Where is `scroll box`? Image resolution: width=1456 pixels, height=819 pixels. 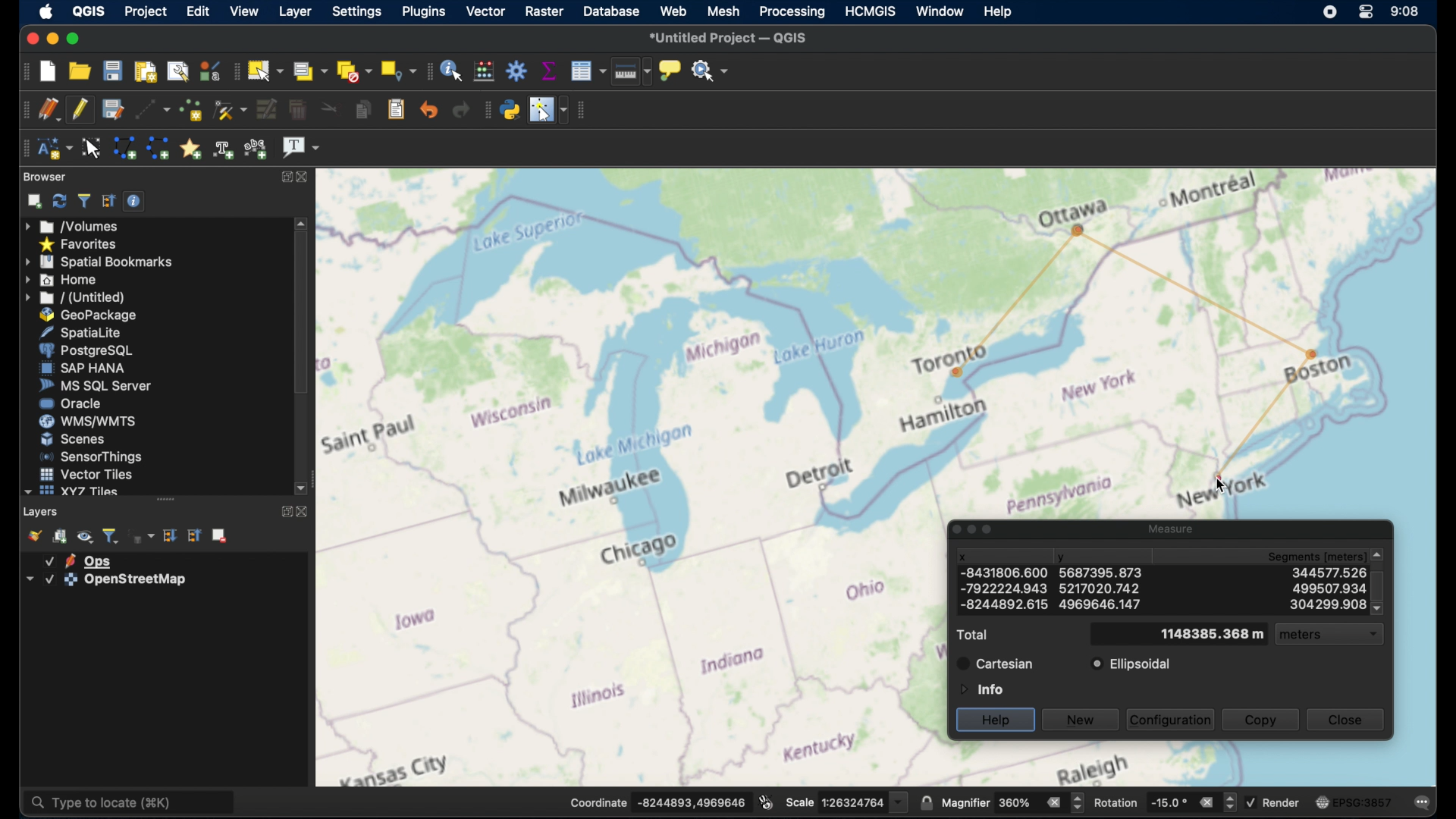 scroll box is located at coordinates (301, 316).